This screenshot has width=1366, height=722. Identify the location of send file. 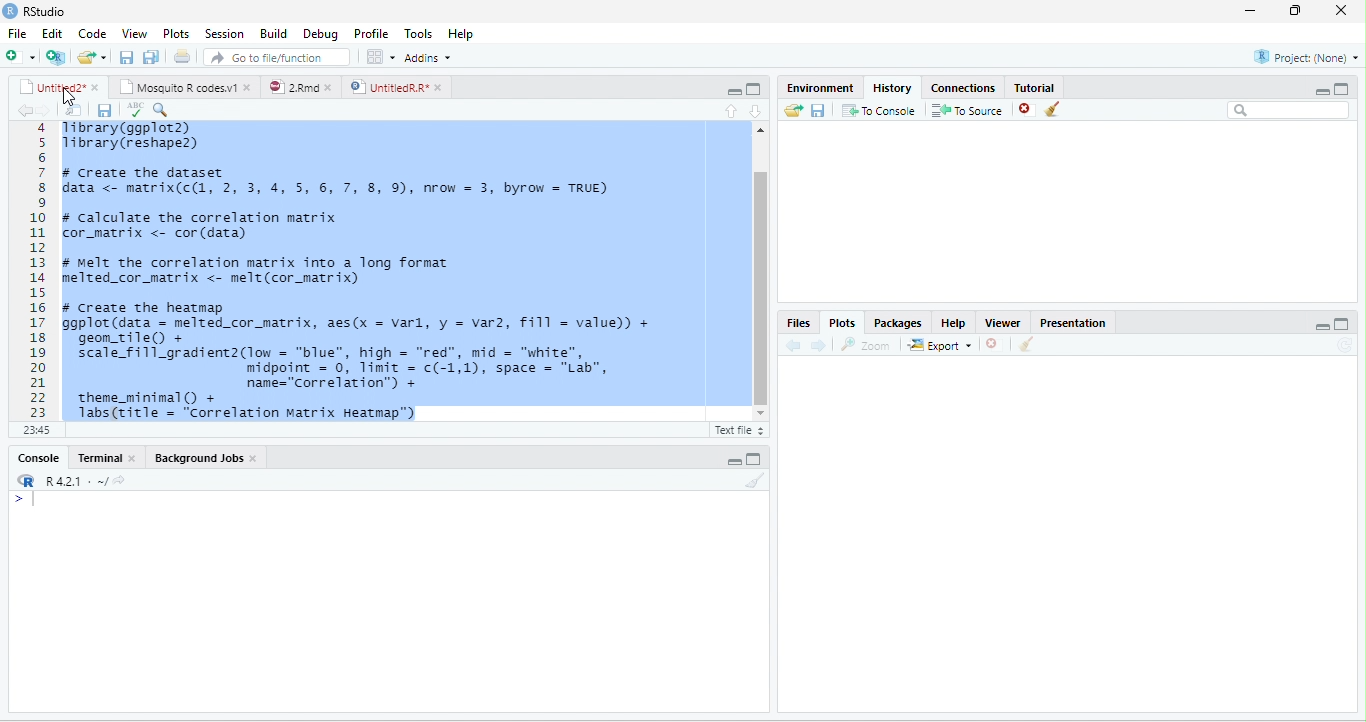
(786, 110).